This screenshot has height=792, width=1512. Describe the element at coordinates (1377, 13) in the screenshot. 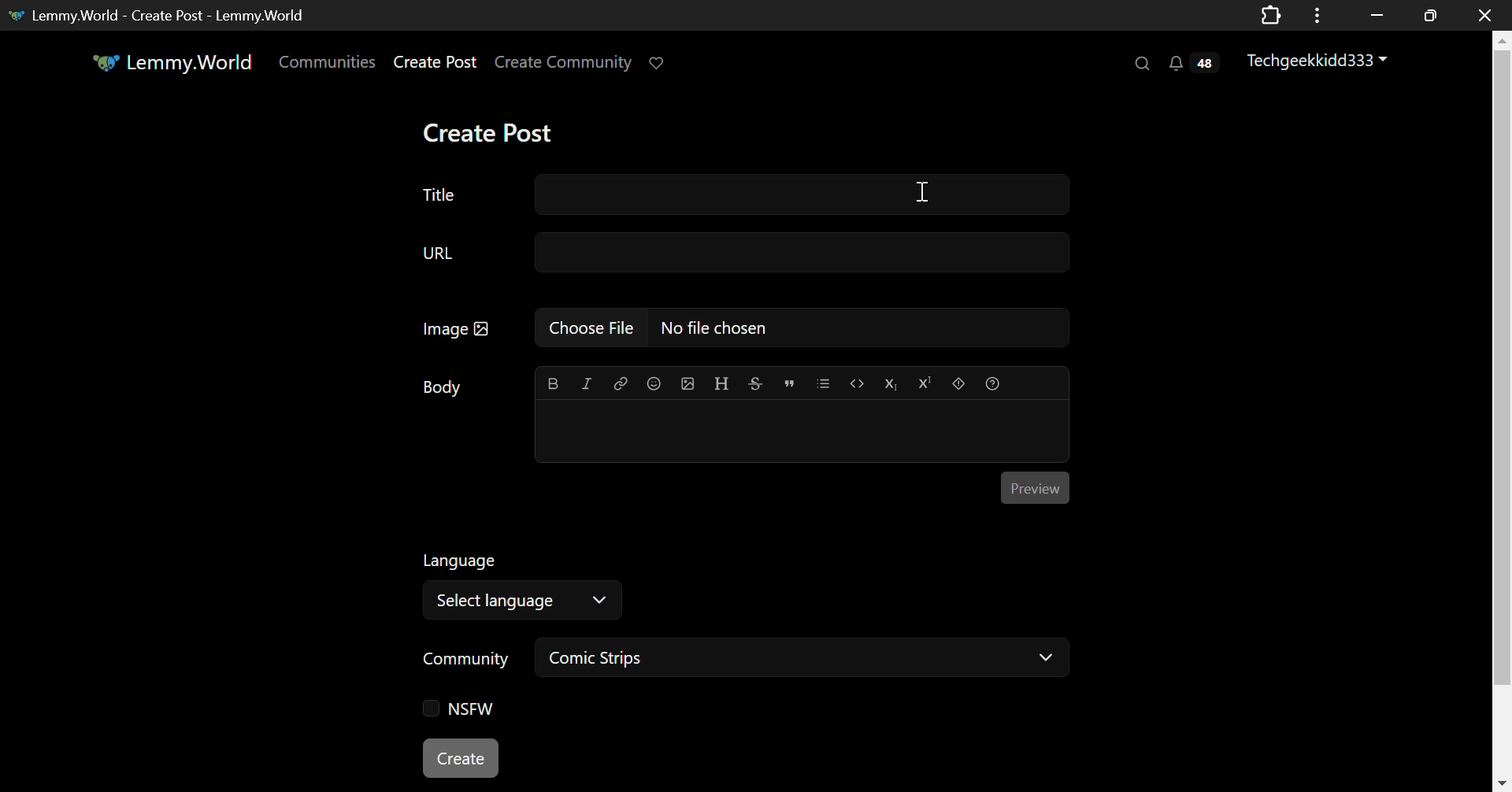

I see `Restore Down` at that location.